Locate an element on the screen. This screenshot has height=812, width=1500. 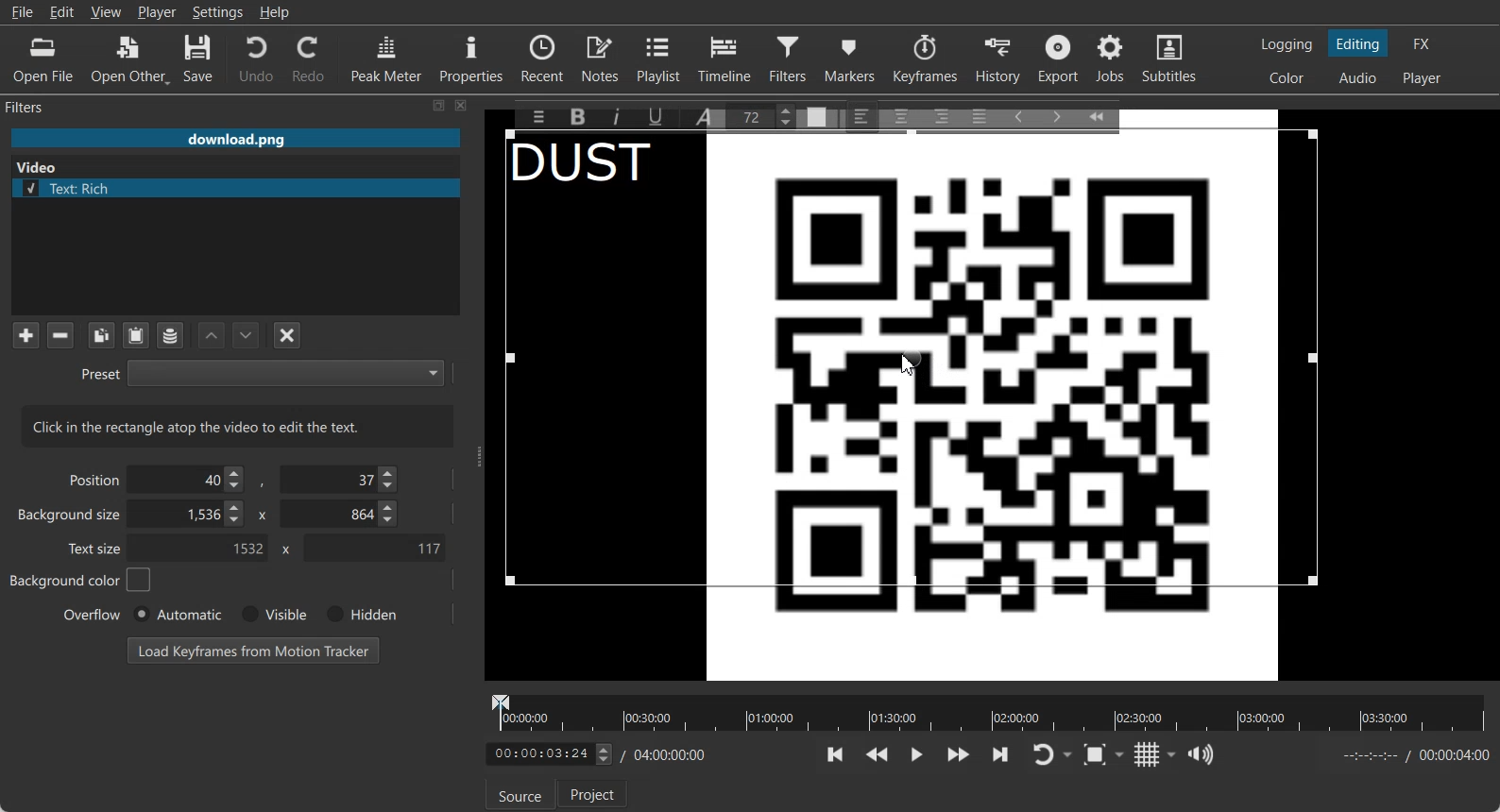
Decrease Indent is located at coordinates (1018, 115).